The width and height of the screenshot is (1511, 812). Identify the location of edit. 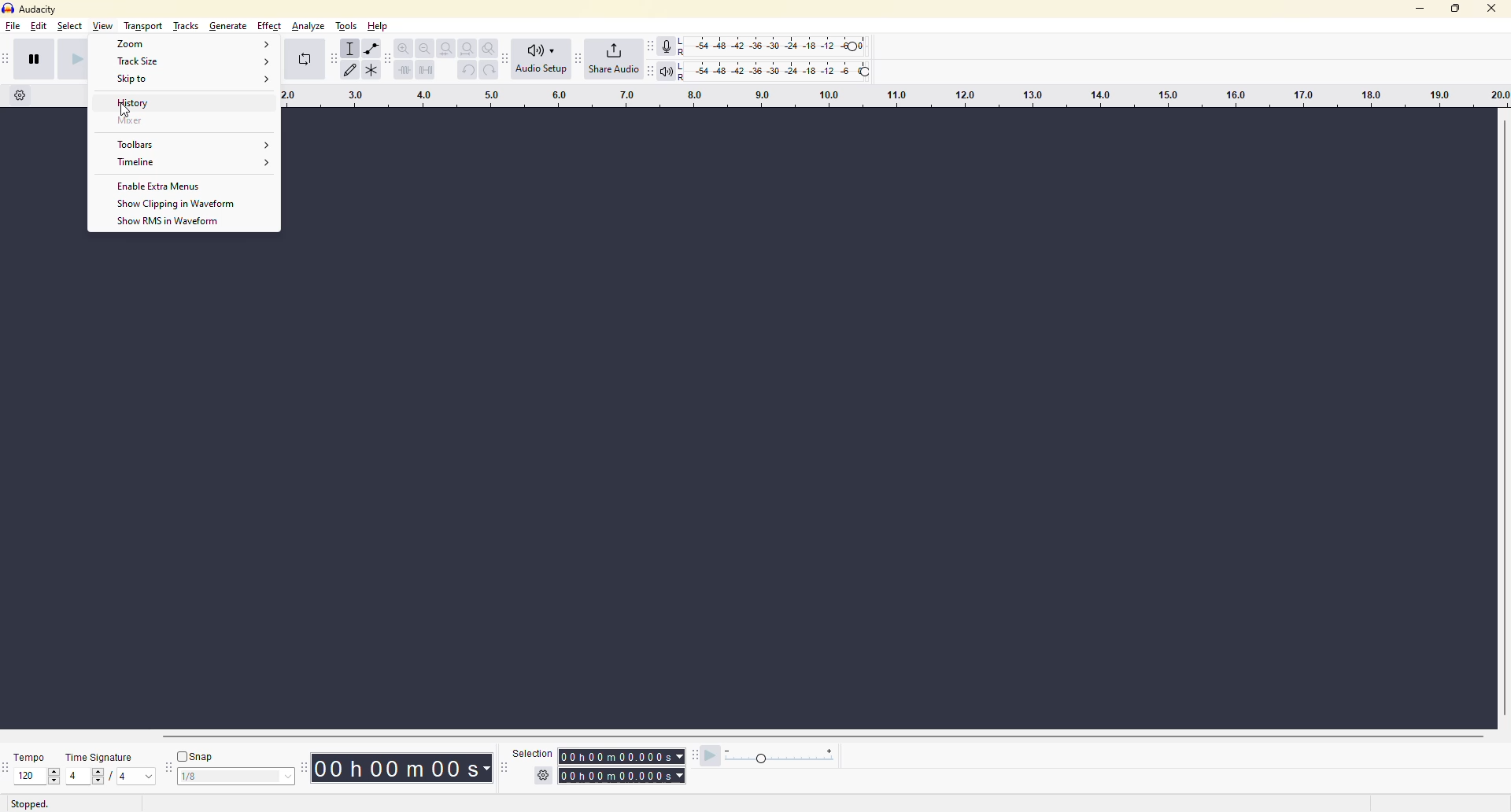
(40, 28).